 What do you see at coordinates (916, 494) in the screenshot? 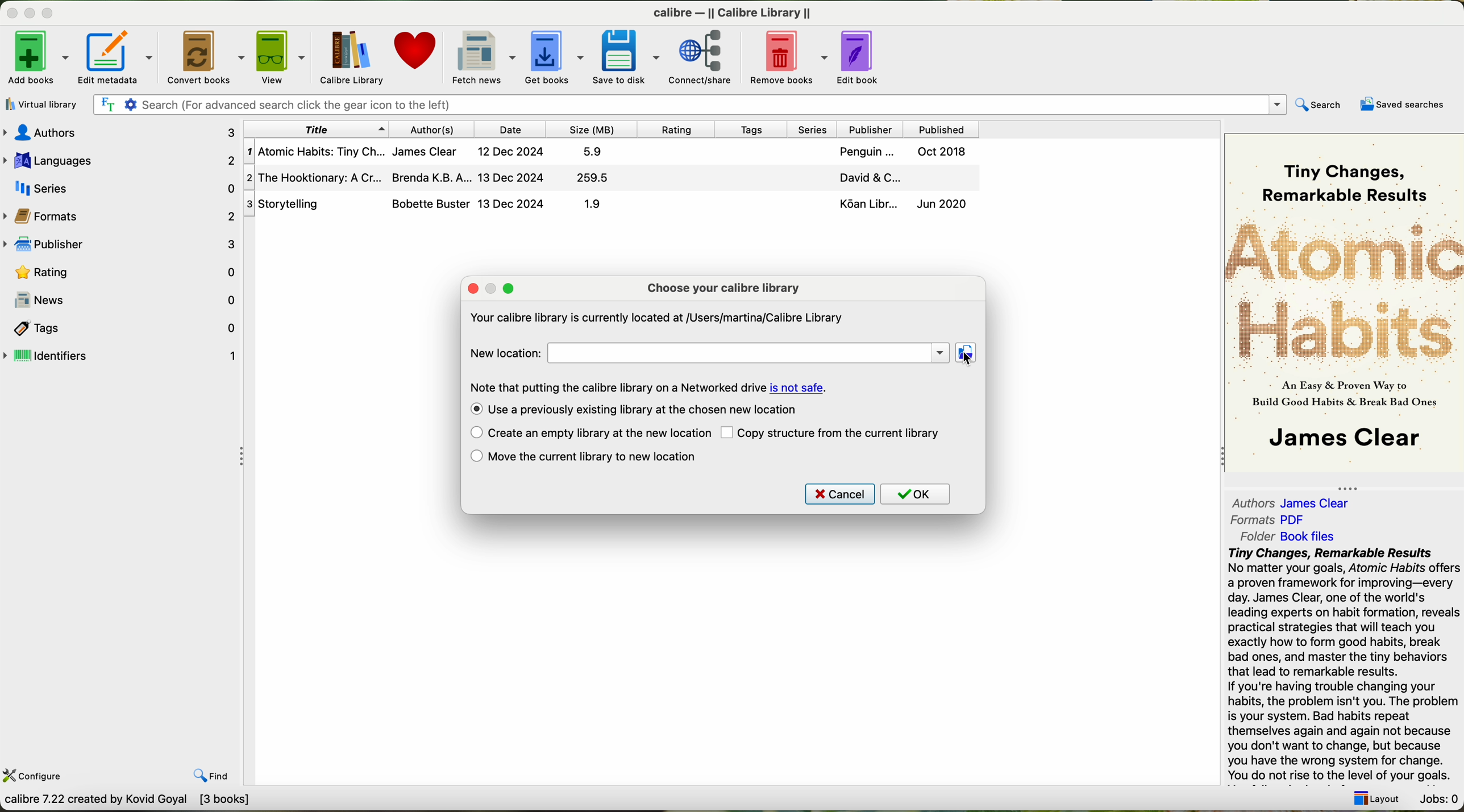
I see `OK` at bounding box center [916, 494].